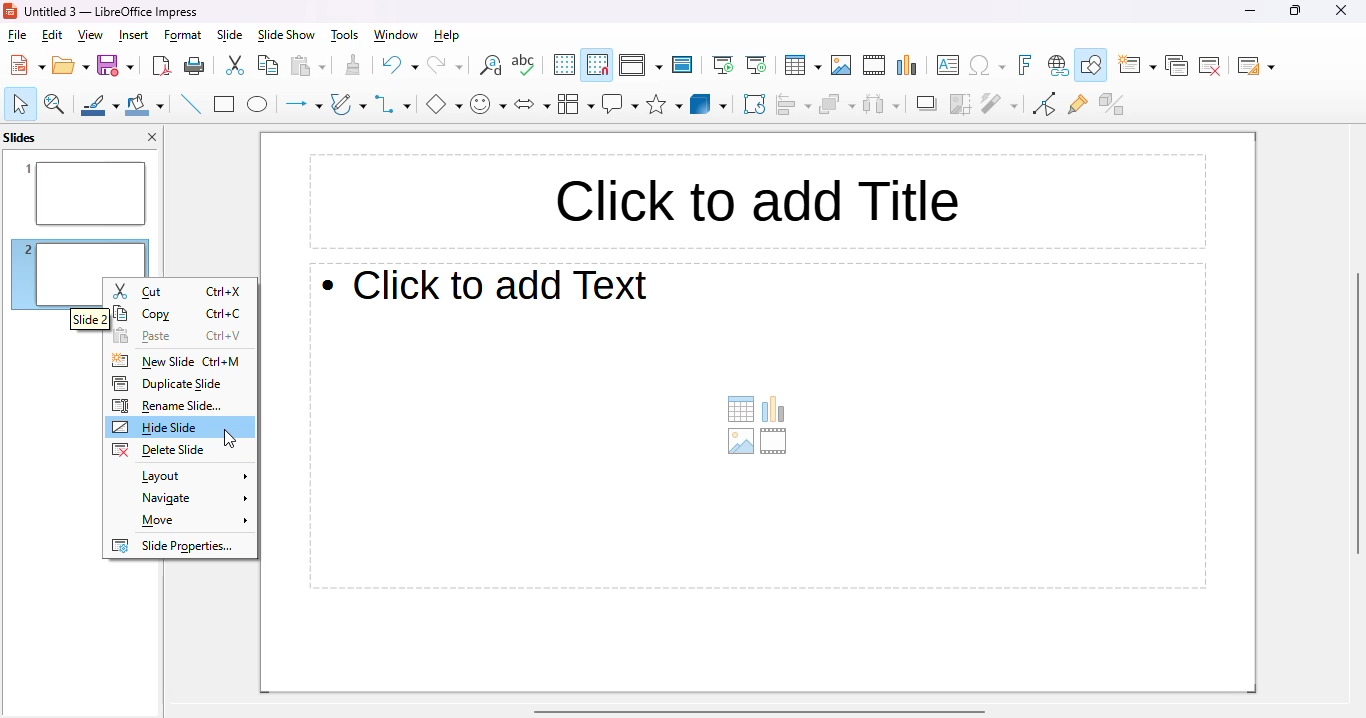 This screenshot has width=1366, height=718. Describe the element at coordinates (79, 194) in the screenshot. I see `slide 1` at that location.